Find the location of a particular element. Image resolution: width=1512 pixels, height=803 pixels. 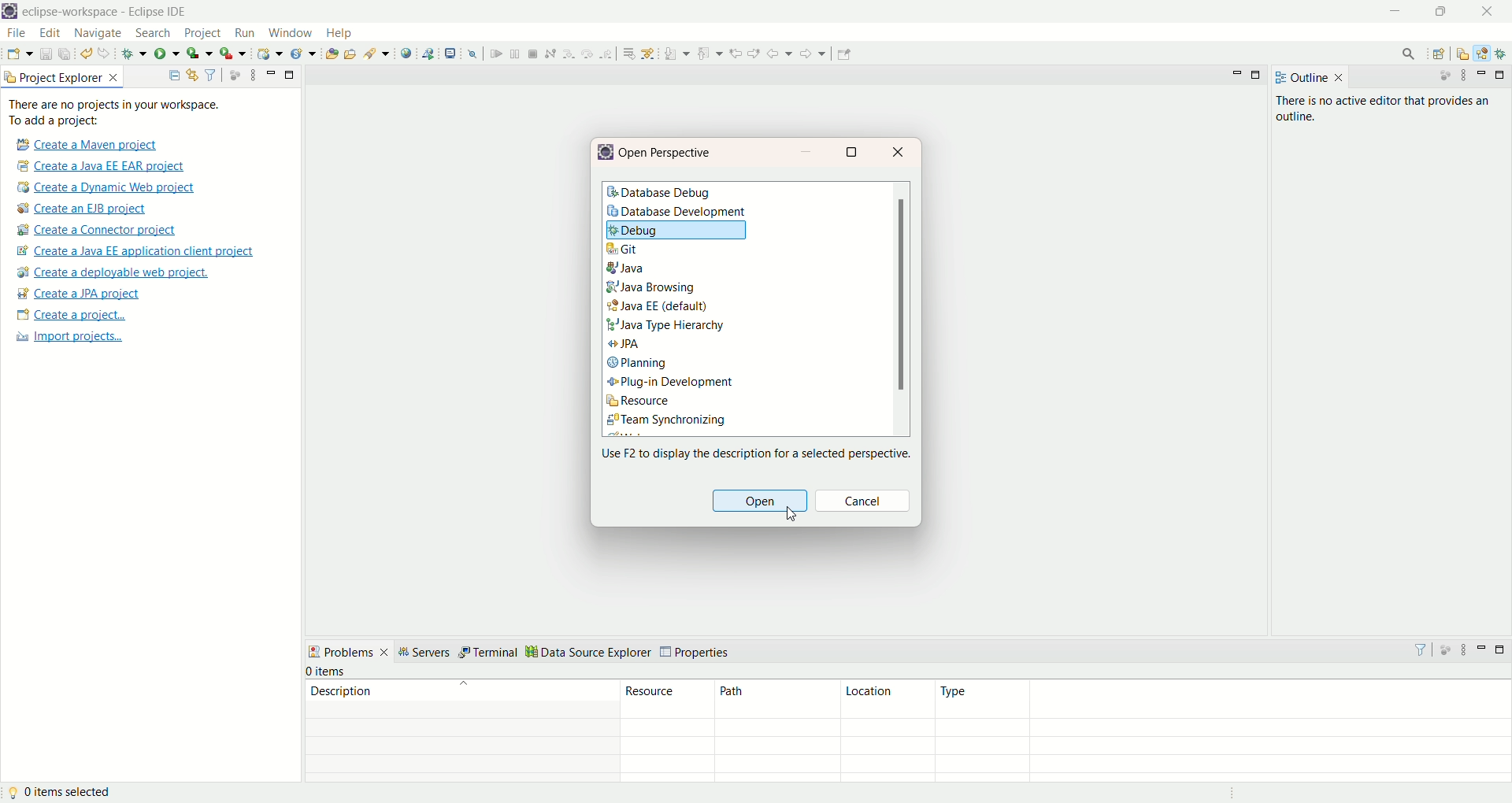

edit is located at coordinates (48, 34).